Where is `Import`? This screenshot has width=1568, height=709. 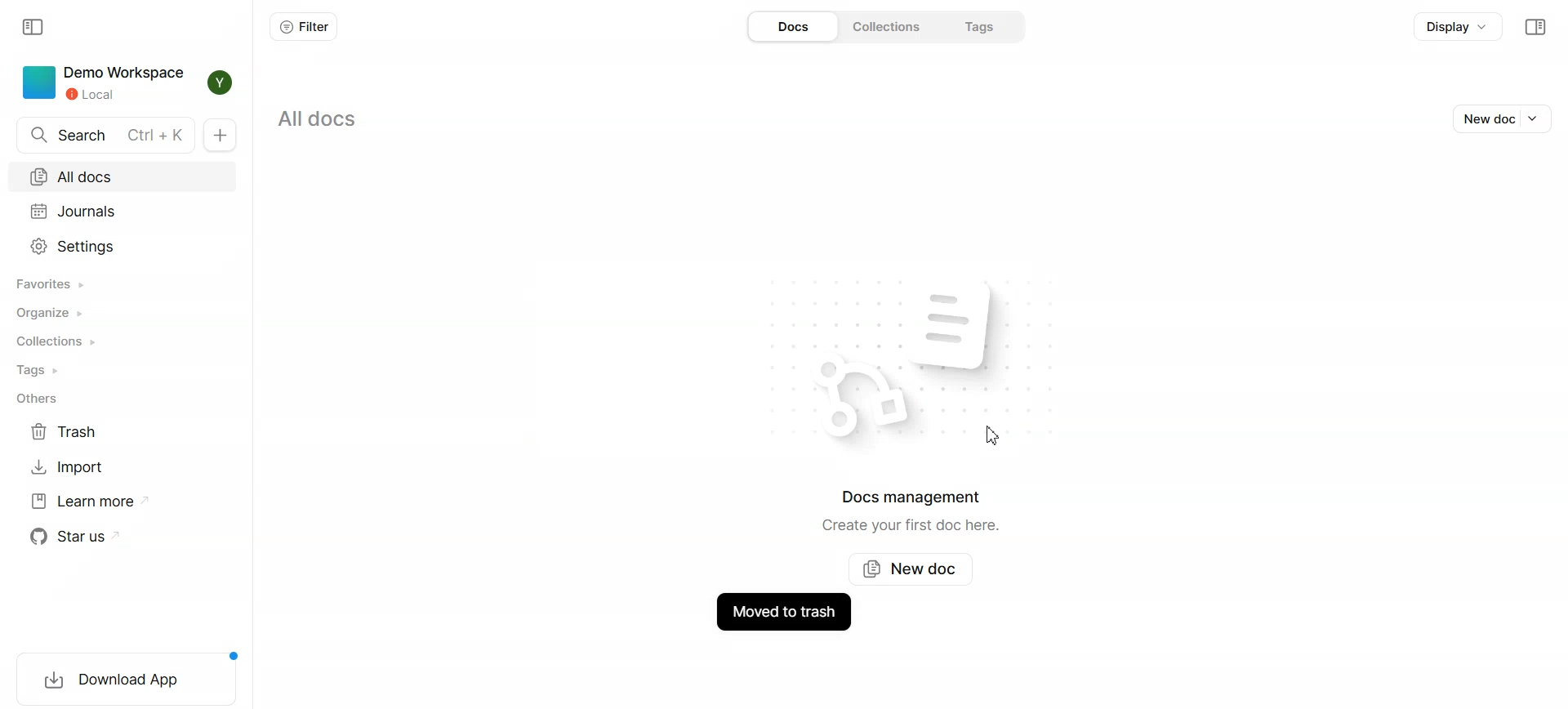
Import is located at coordinates (107, 468).